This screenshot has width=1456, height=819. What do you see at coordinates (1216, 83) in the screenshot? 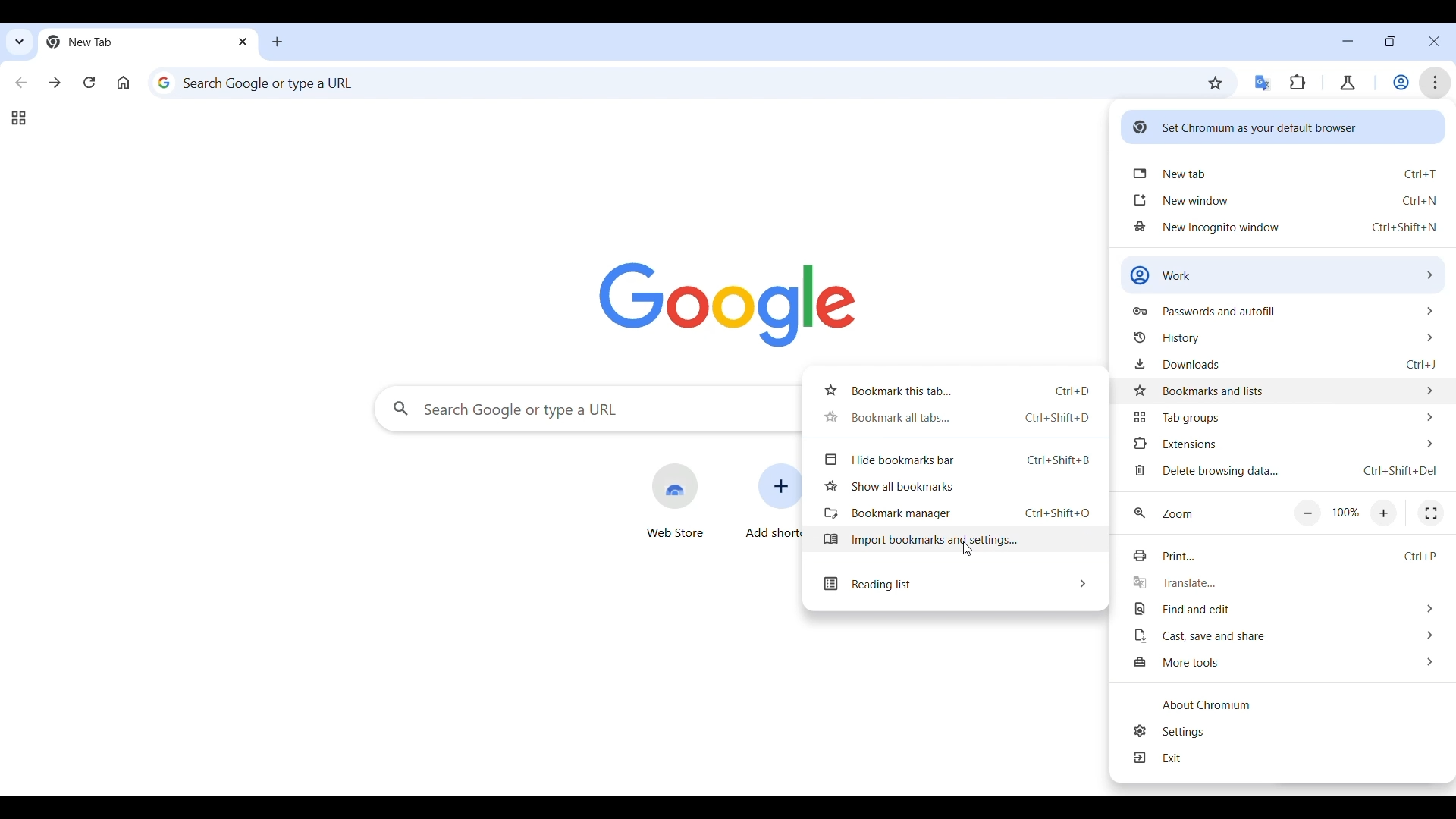
I see `Bookmark this tab` at bounding box center [1216, 83].